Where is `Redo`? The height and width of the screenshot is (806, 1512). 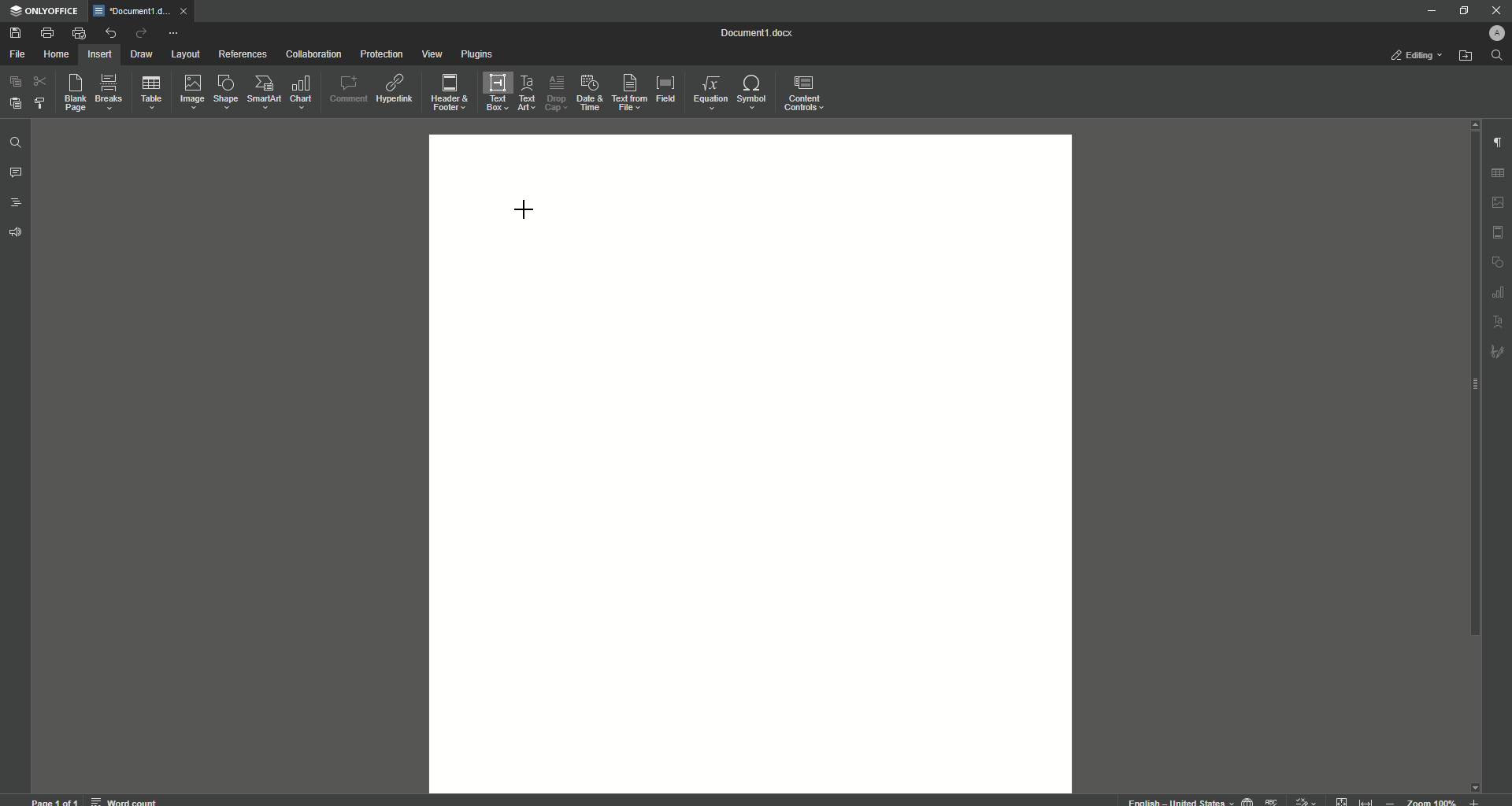
Redo is located at coordinates (140, 35).